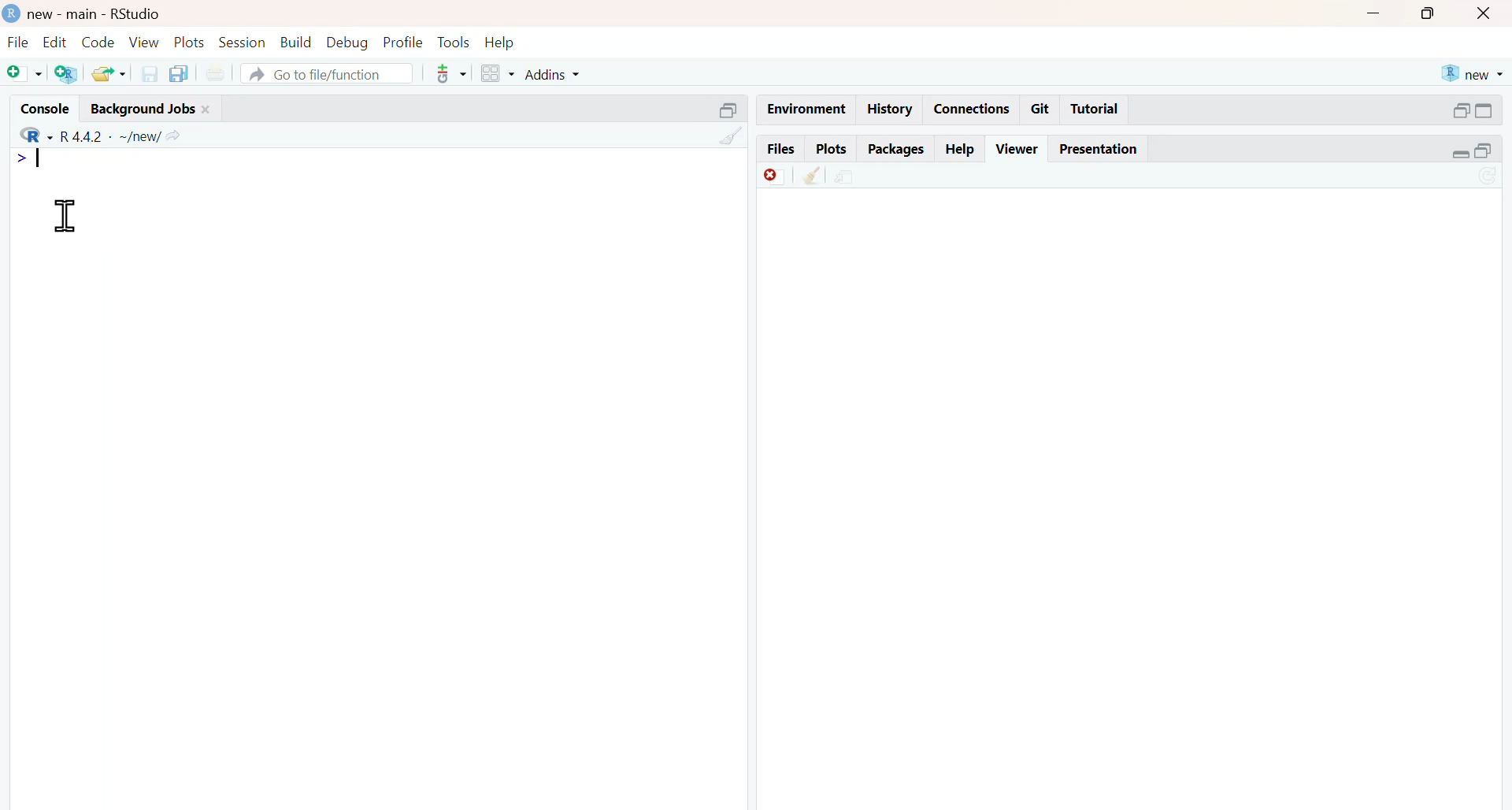  What do you see at coordinates (782, 150) in the screenshot?
I see `files` at bounding box center [782, 150].